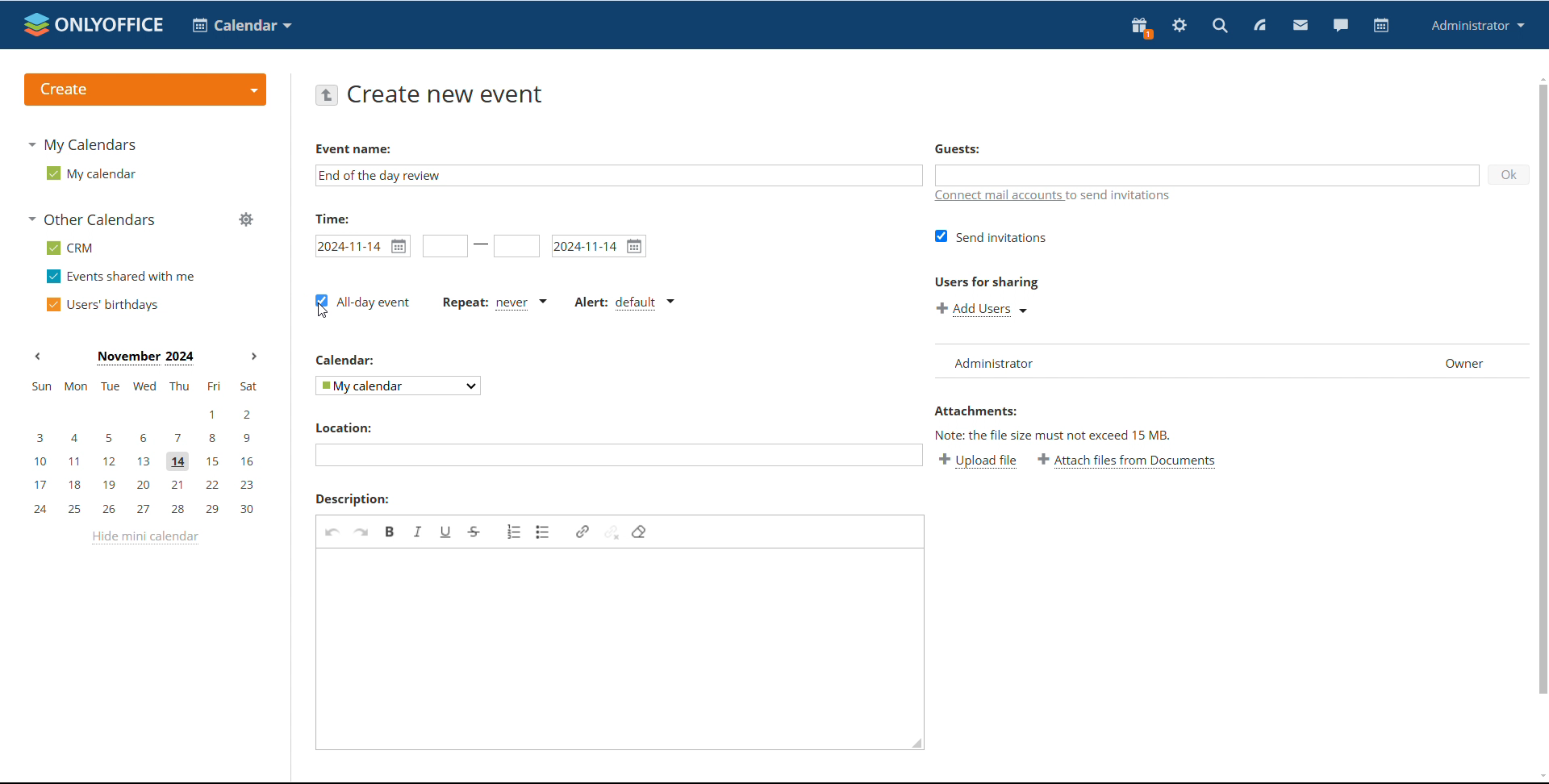 The image size is (1549, 784). Describe the element at coordinates (143, 386) in the screenshot. I see `sun, mon, tue, wed, thu, fri, sat` at that location.